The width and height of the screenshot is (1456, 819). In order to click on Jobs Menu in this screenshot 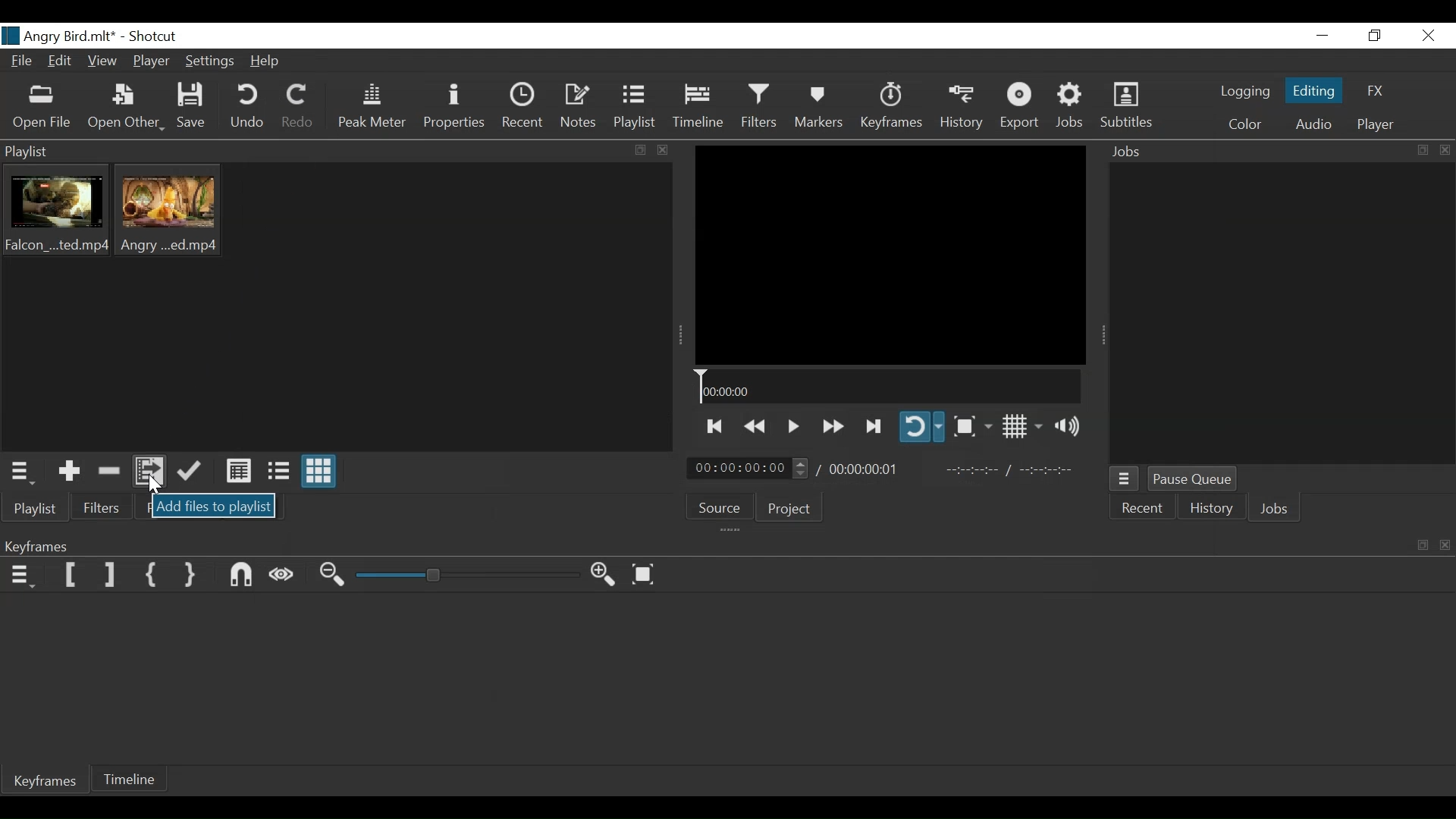, I will do `click(1128, 479)`.